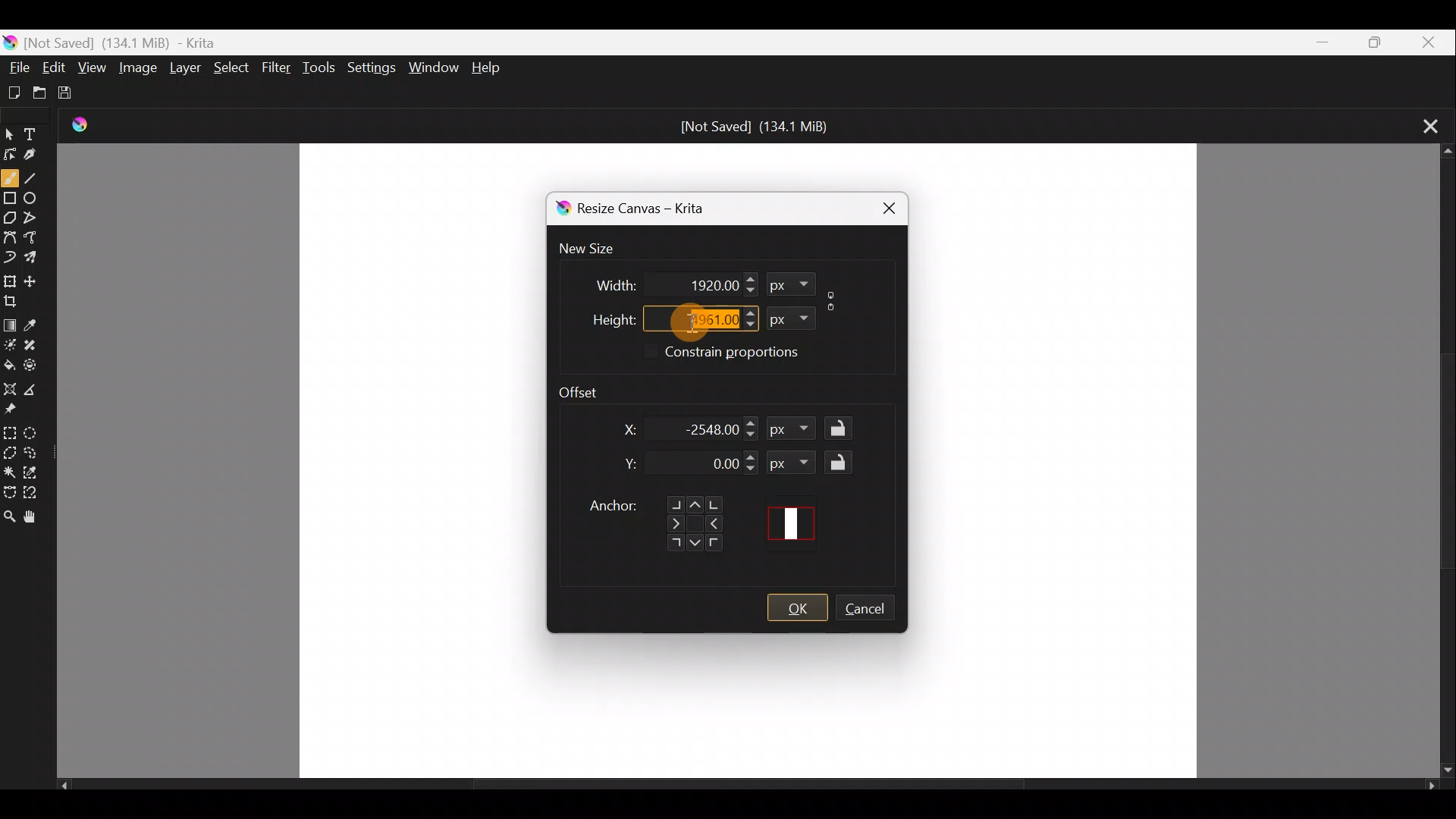  Describe the element at coordinates (10, 256) in the screenshot. I see `Dynamic brush tool` at that location.